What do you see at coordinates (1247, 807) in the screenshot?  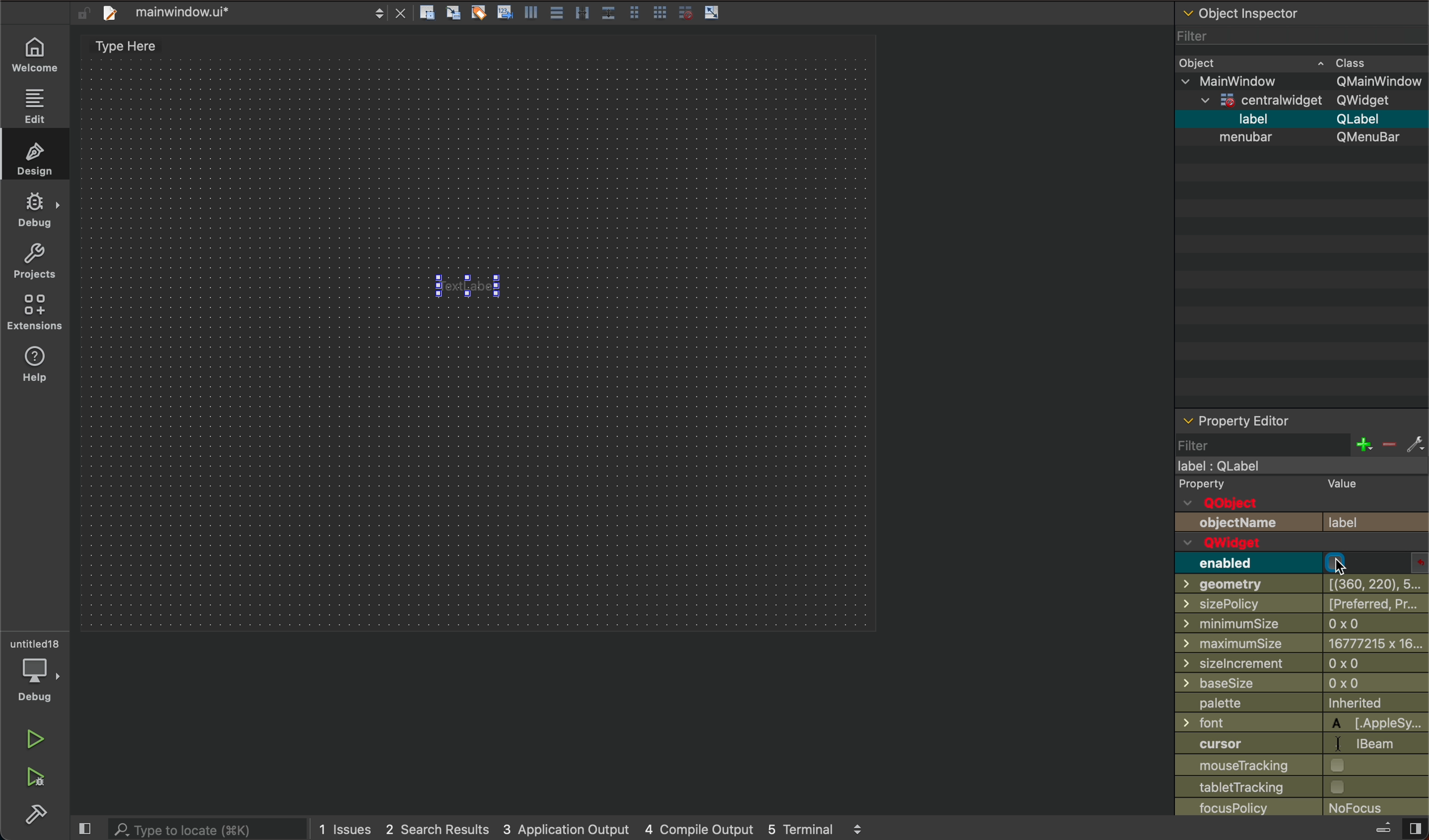 I see `focusPolicy` at bounding box center [1247, 807].